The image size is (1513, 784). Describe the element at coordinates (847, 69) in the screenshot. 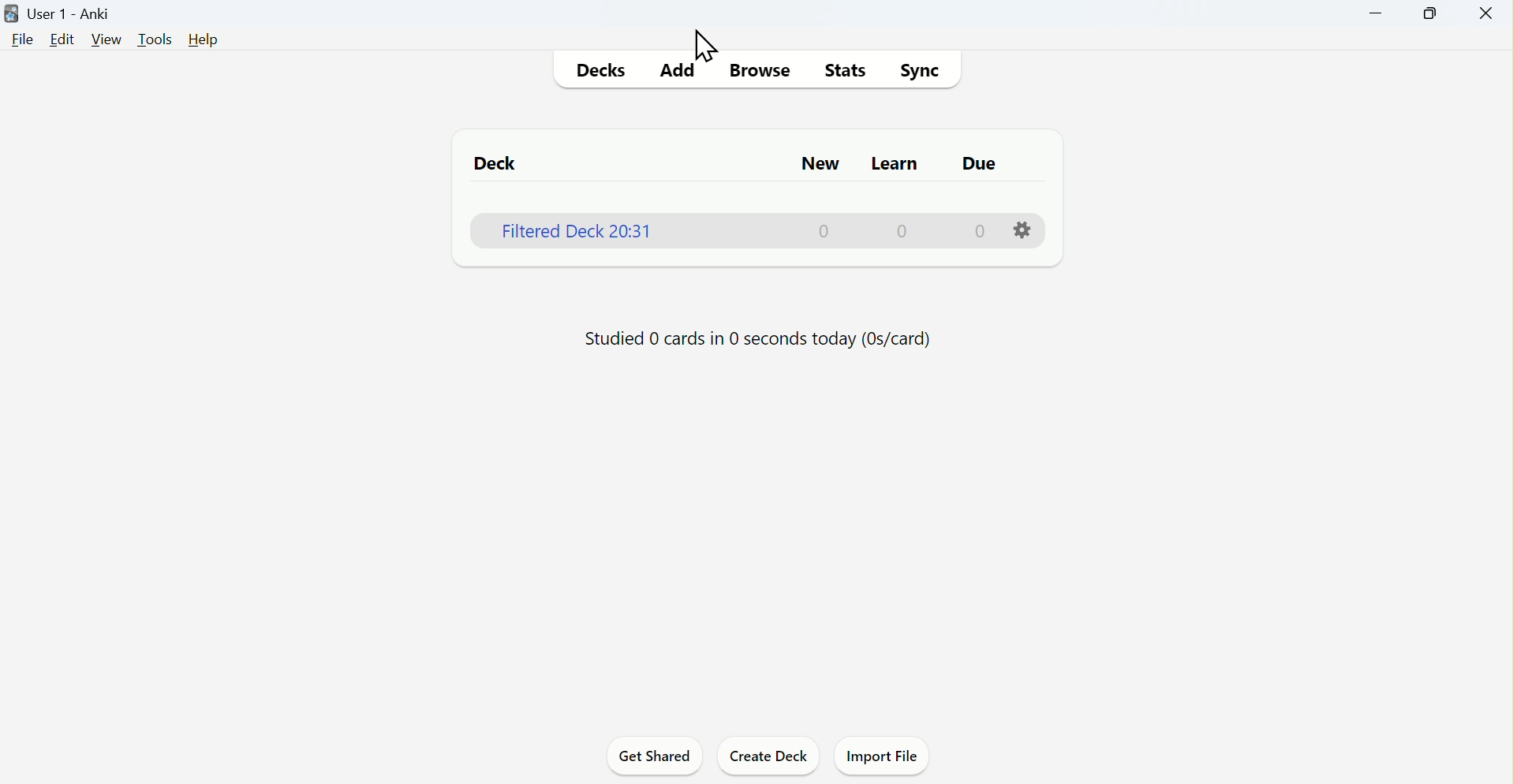

I see `Stats` at that location.